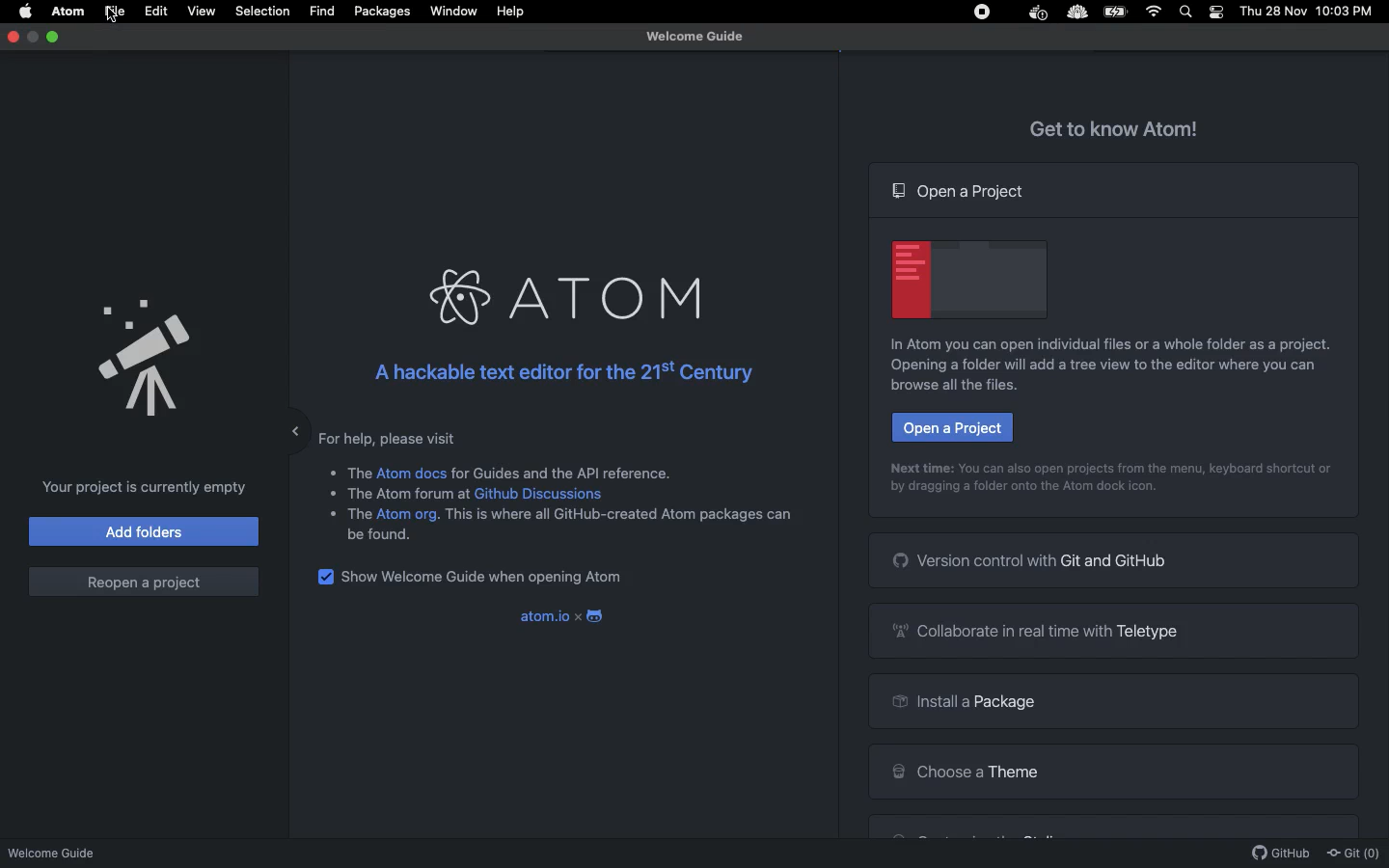 The height and width of the screenshot is (868, 1389). Describe the element at coordinates (331, 492) in the screenshot. I see `Bullet points` at that location.